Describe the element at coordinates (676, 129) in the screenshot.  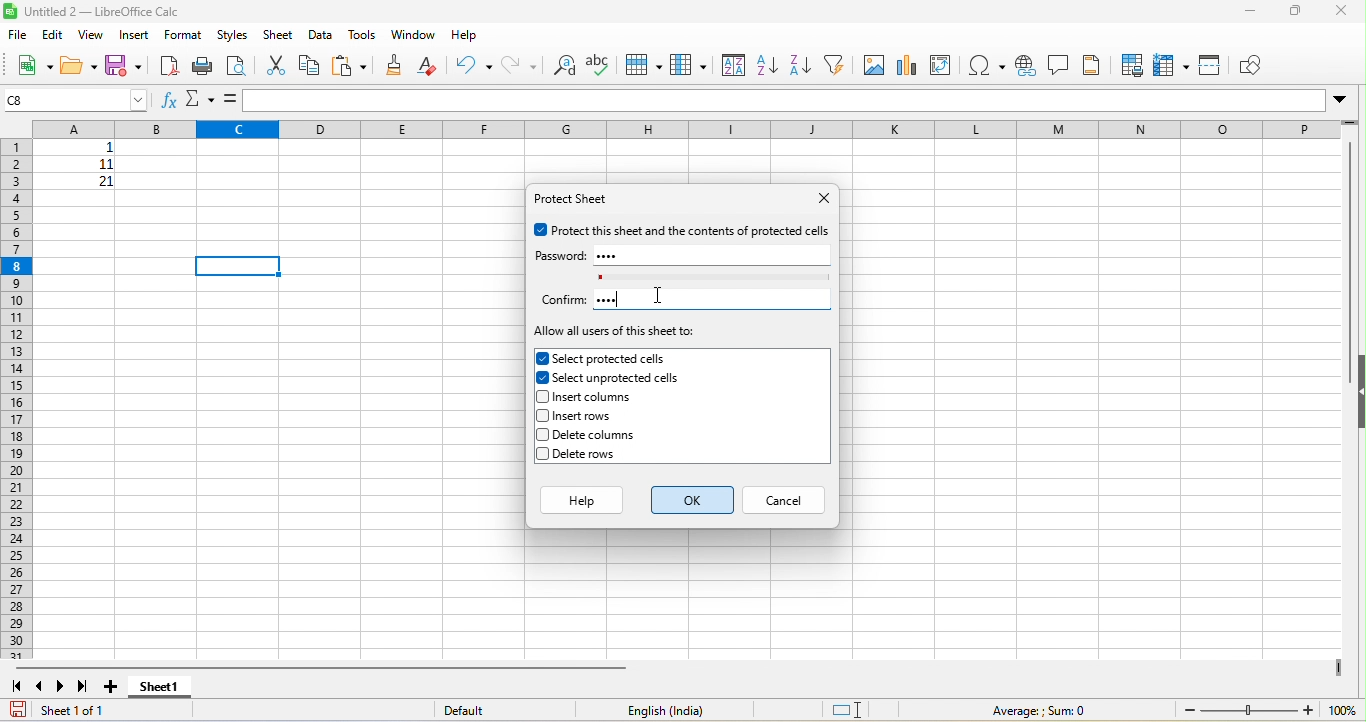
I see `column headings` at that location.